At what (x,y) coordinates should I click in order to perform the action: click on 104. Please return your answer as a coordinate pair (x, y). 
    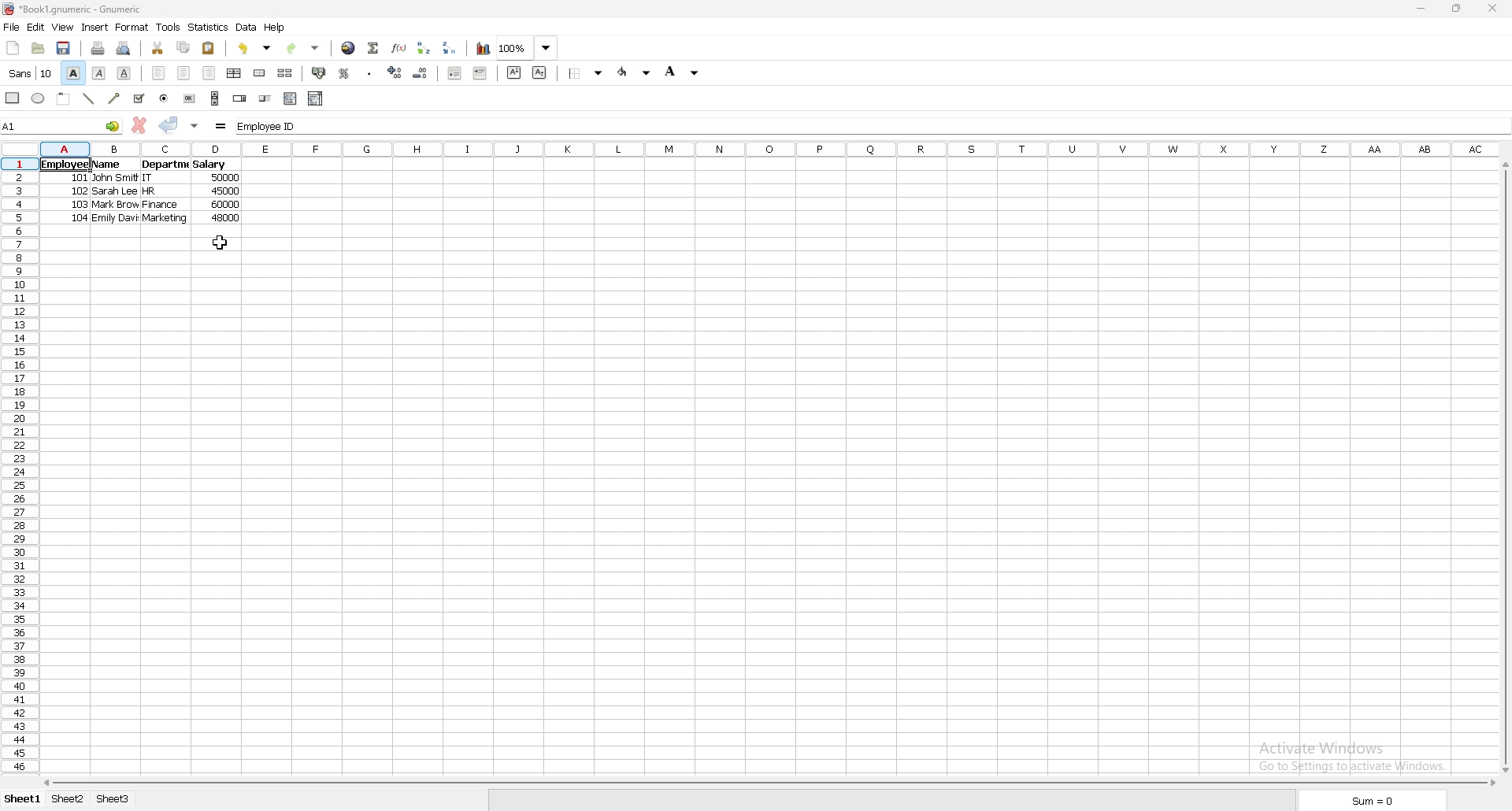
    Looking at the image, I should click on (76, 220).